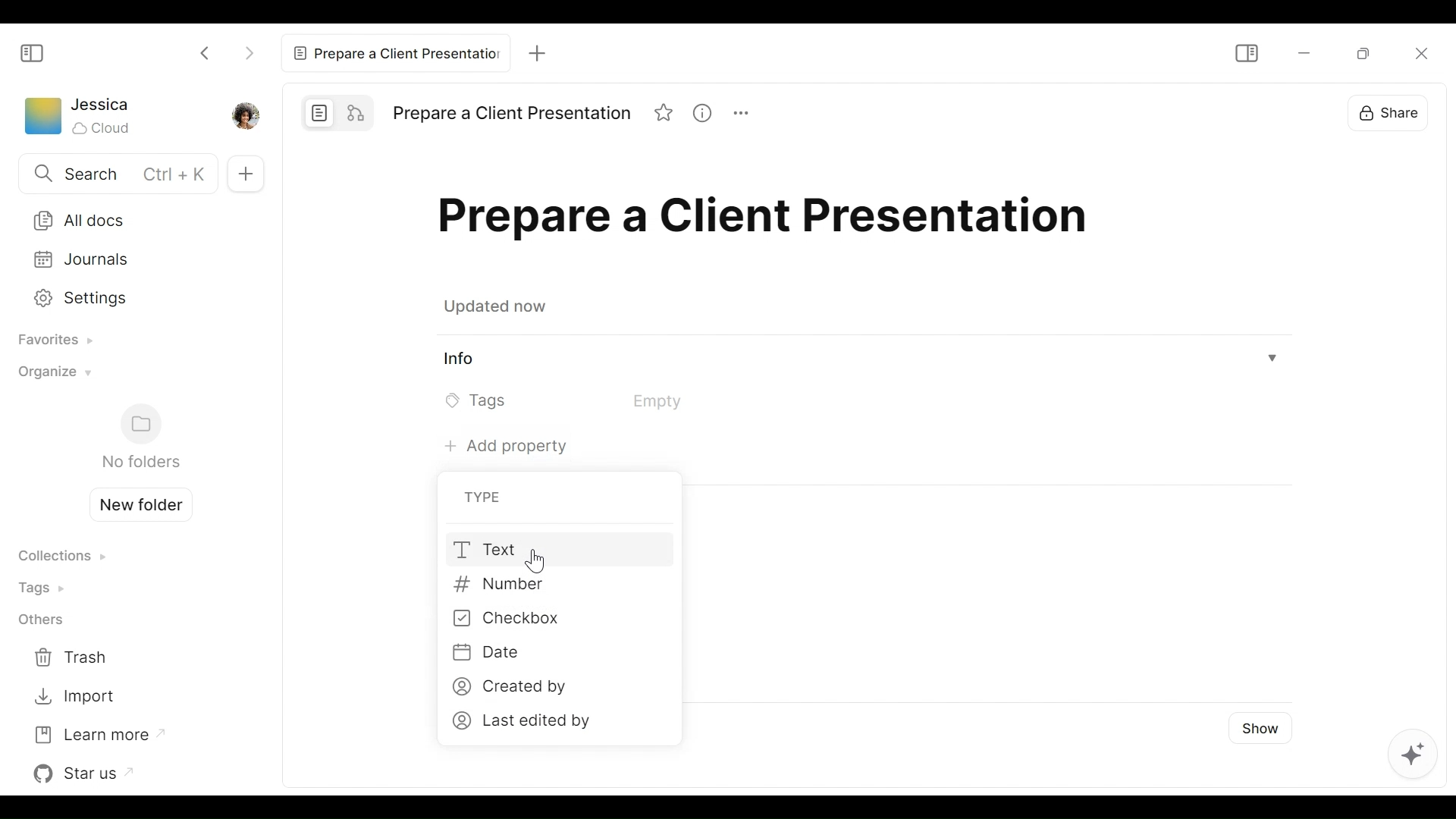  Describe the element at coordinates (140, 438) in the screenshot. I see `Folders` at that location.